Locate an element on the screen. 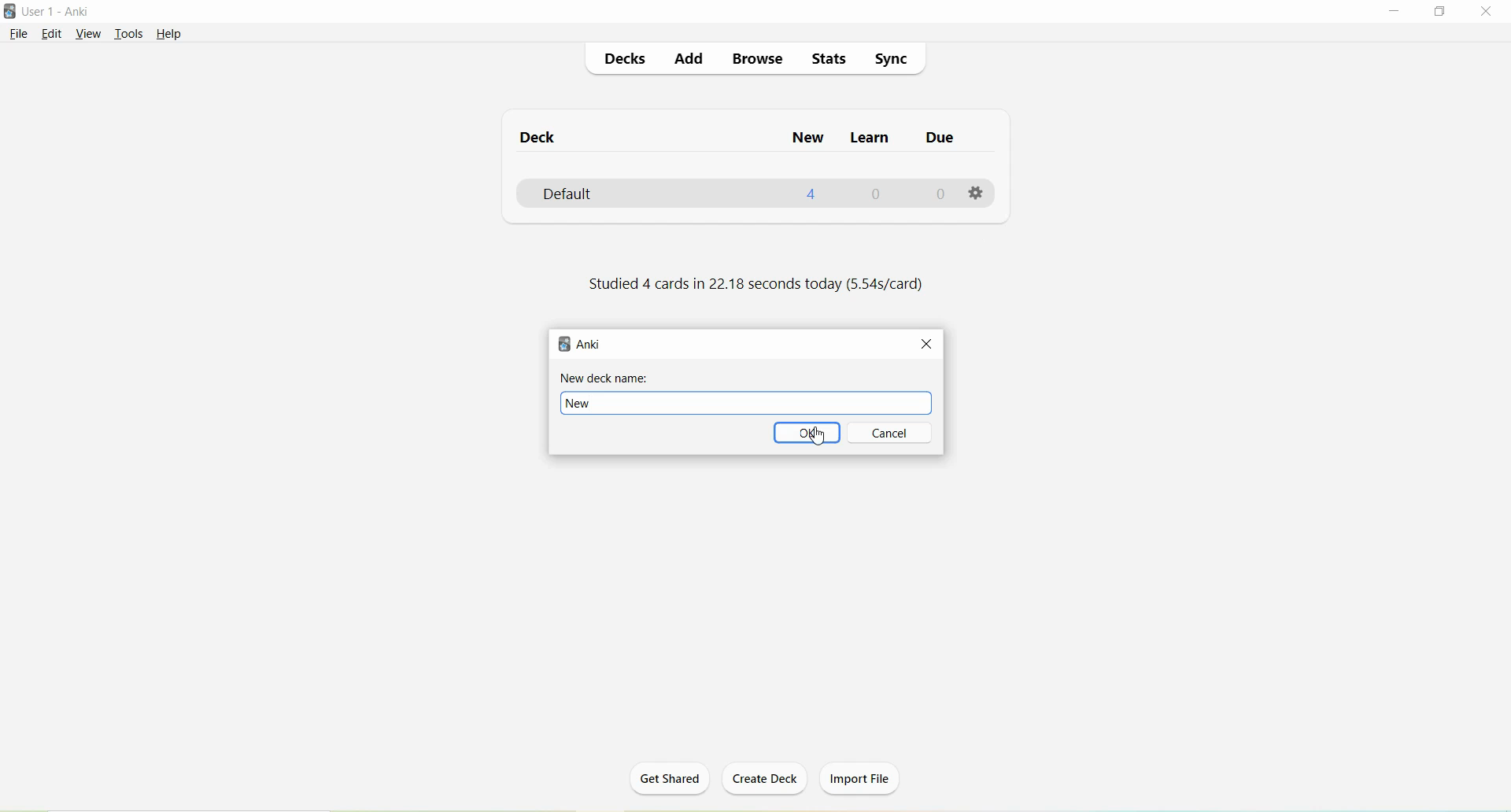 The height and width of the screenshot is (812, 1511). OK is located at coordinates (807, 433).